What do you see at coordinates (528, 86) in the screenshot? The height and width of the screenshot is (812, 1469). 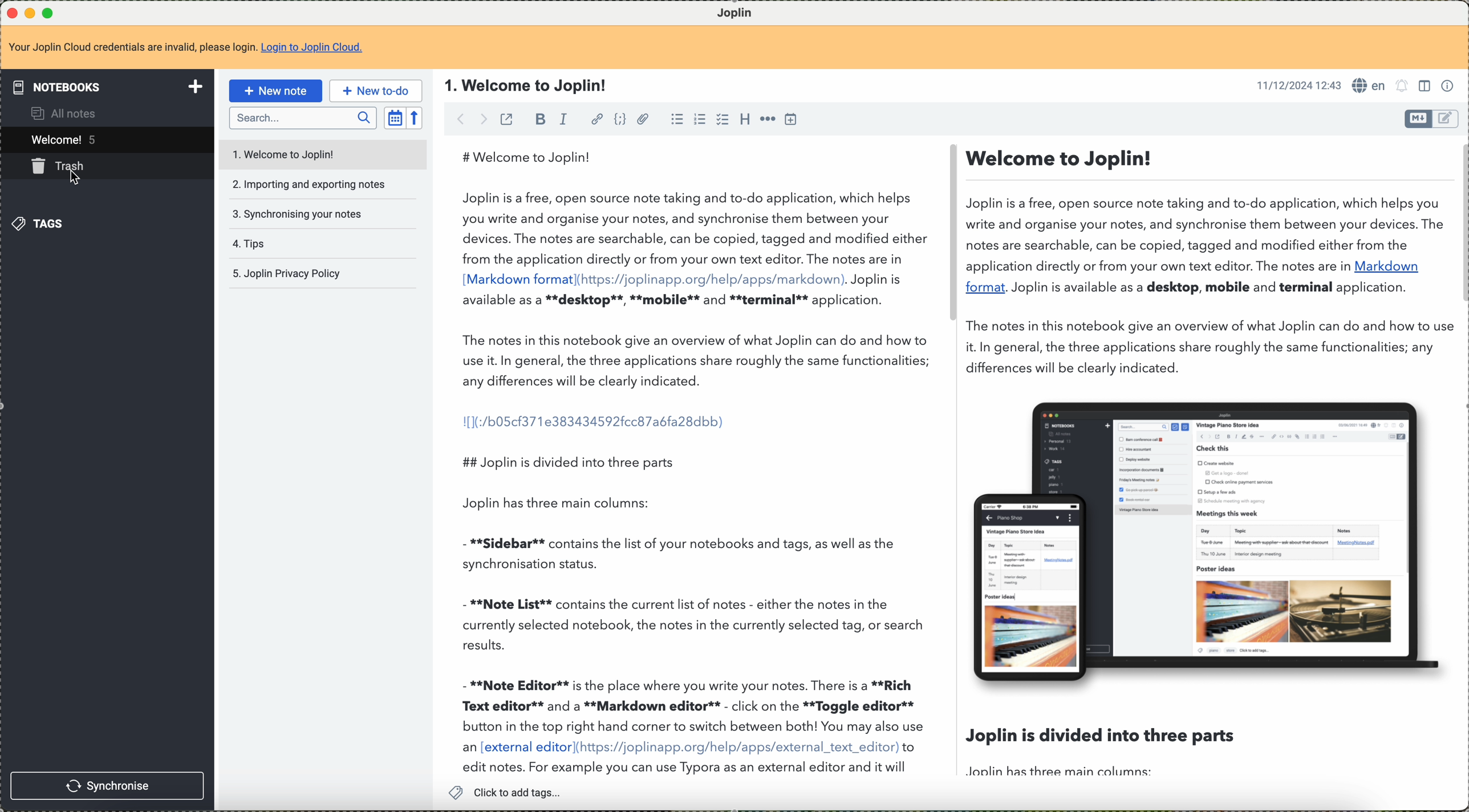 I see `welcome to Joplin` at bounding box center [528, 86].